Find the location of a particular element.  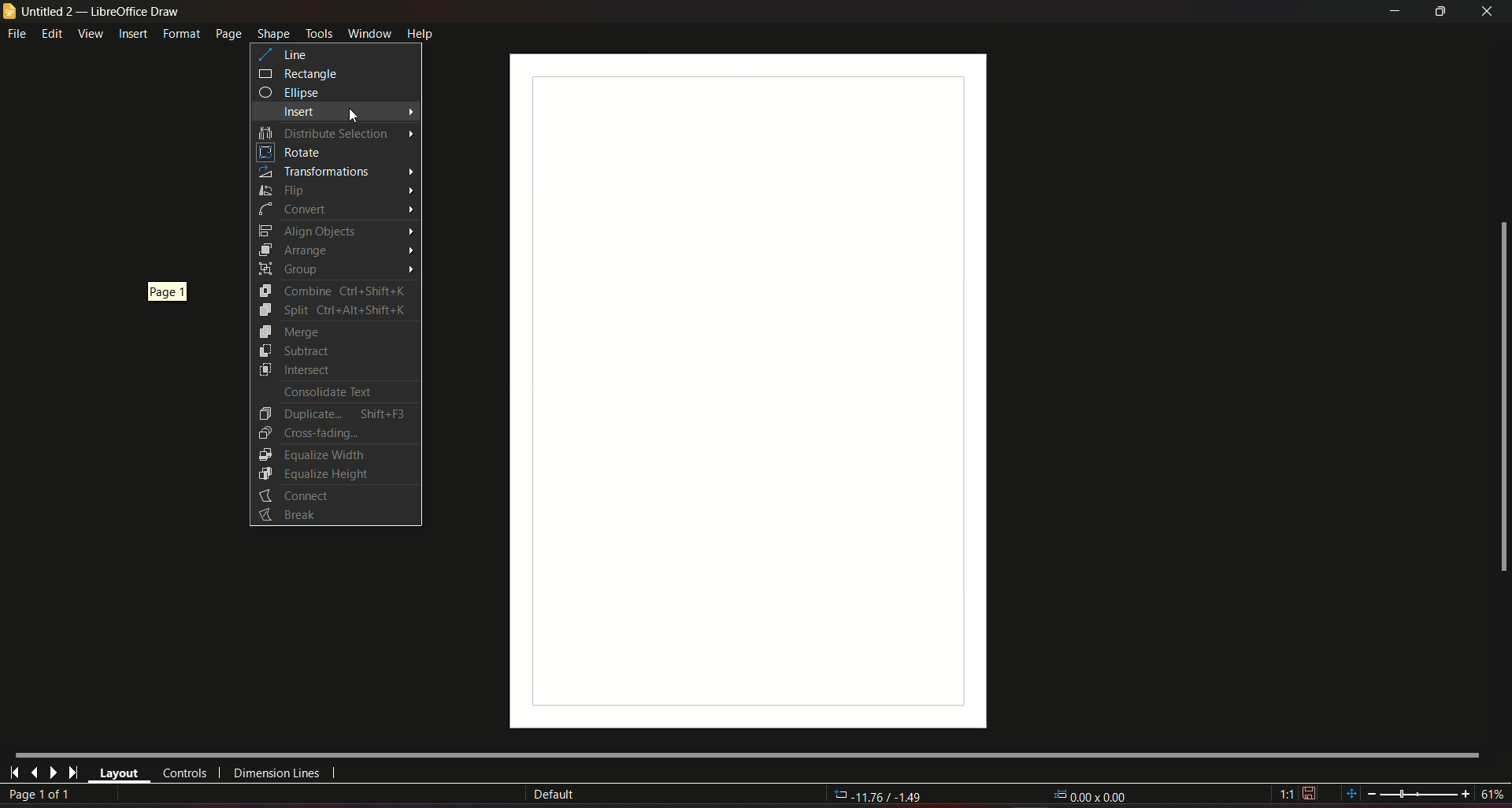

Equalize Width is located at coordinates (315, 453).